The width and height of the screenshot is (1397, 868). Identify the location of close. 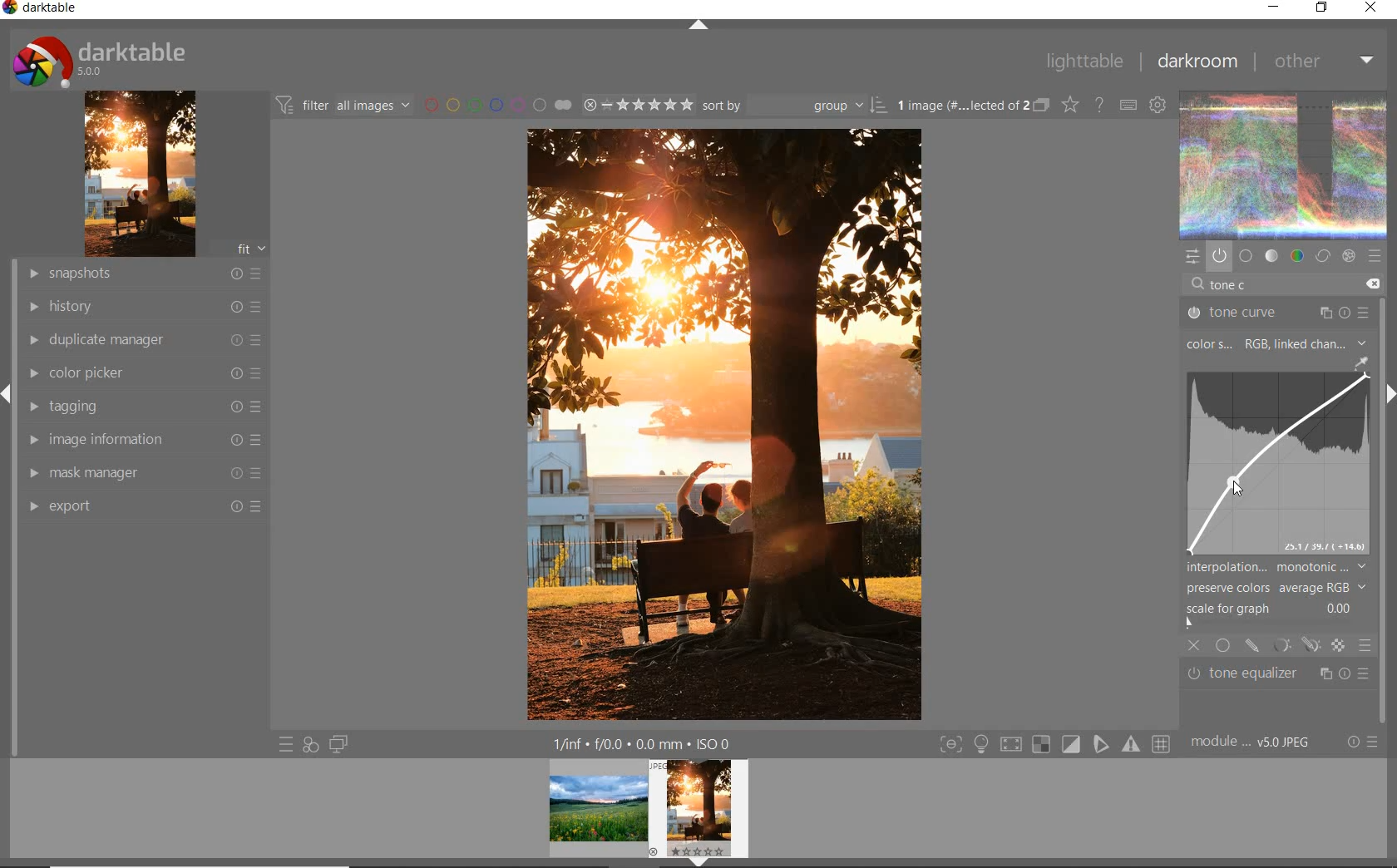
(1196, 648).